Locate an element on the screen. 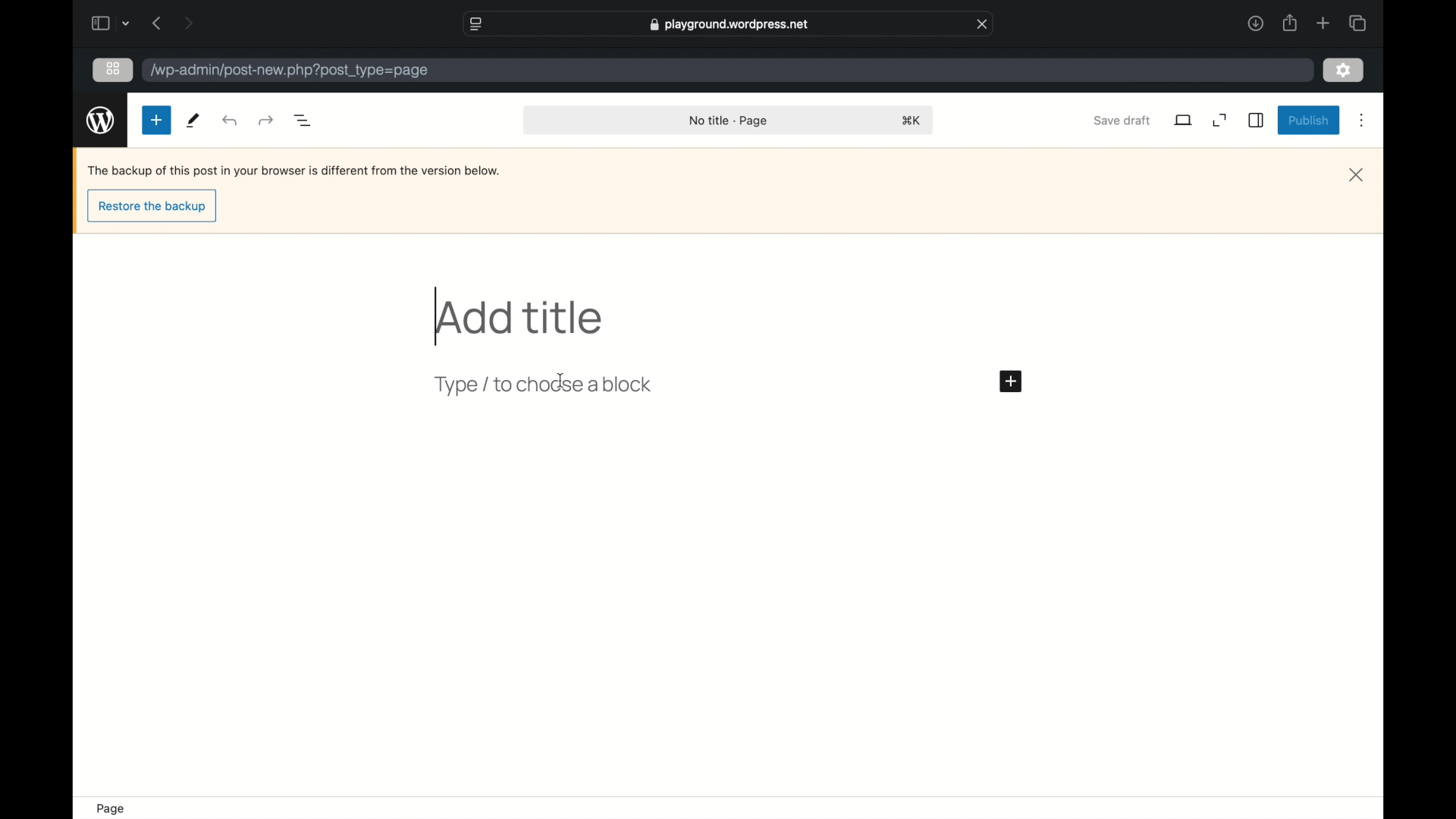 The width and height of the screenshot is (1456, 819). settings is located at coordinates (1345, 69).